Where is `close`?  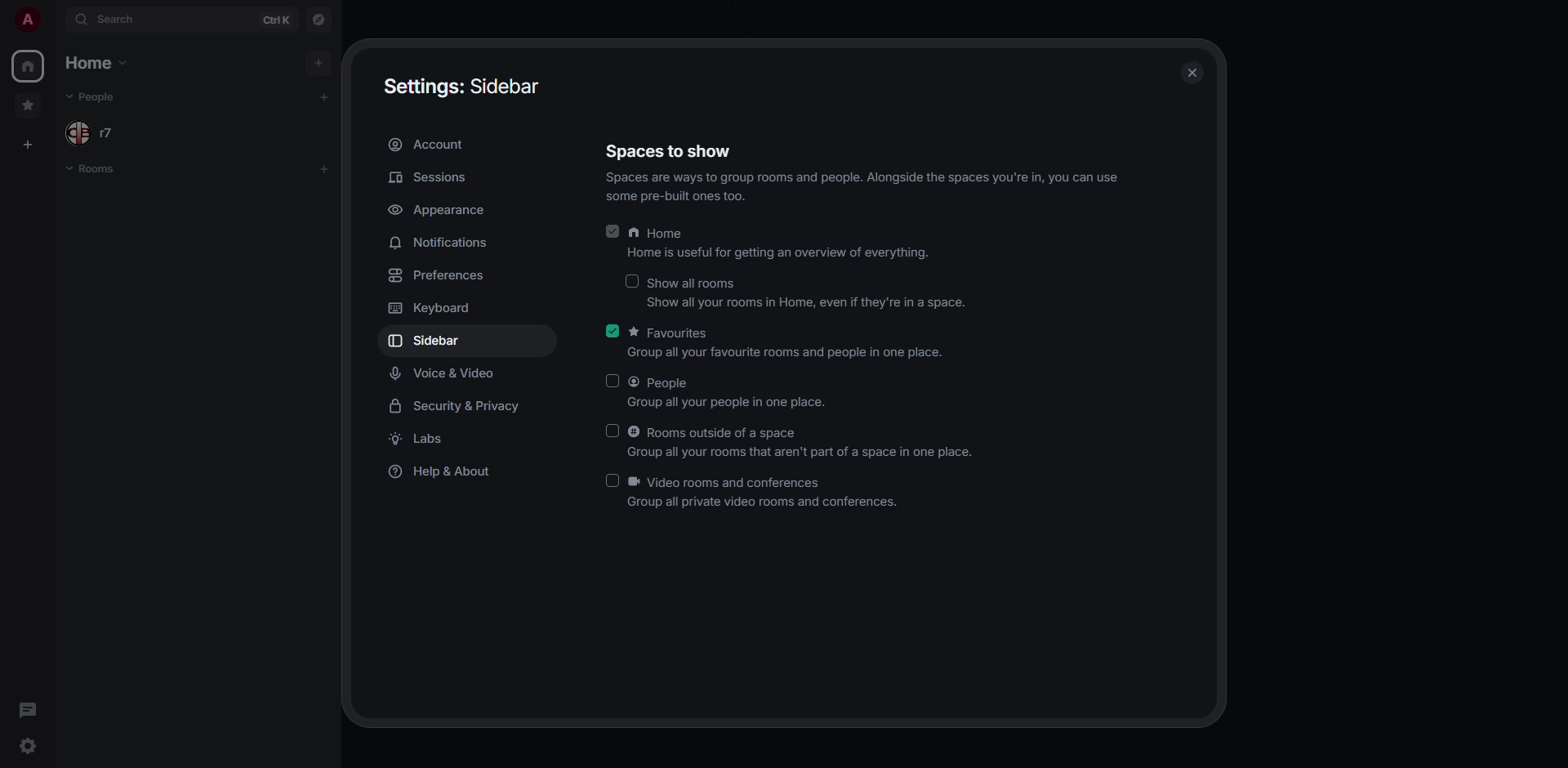
close is located at coordinates (1191, 75).